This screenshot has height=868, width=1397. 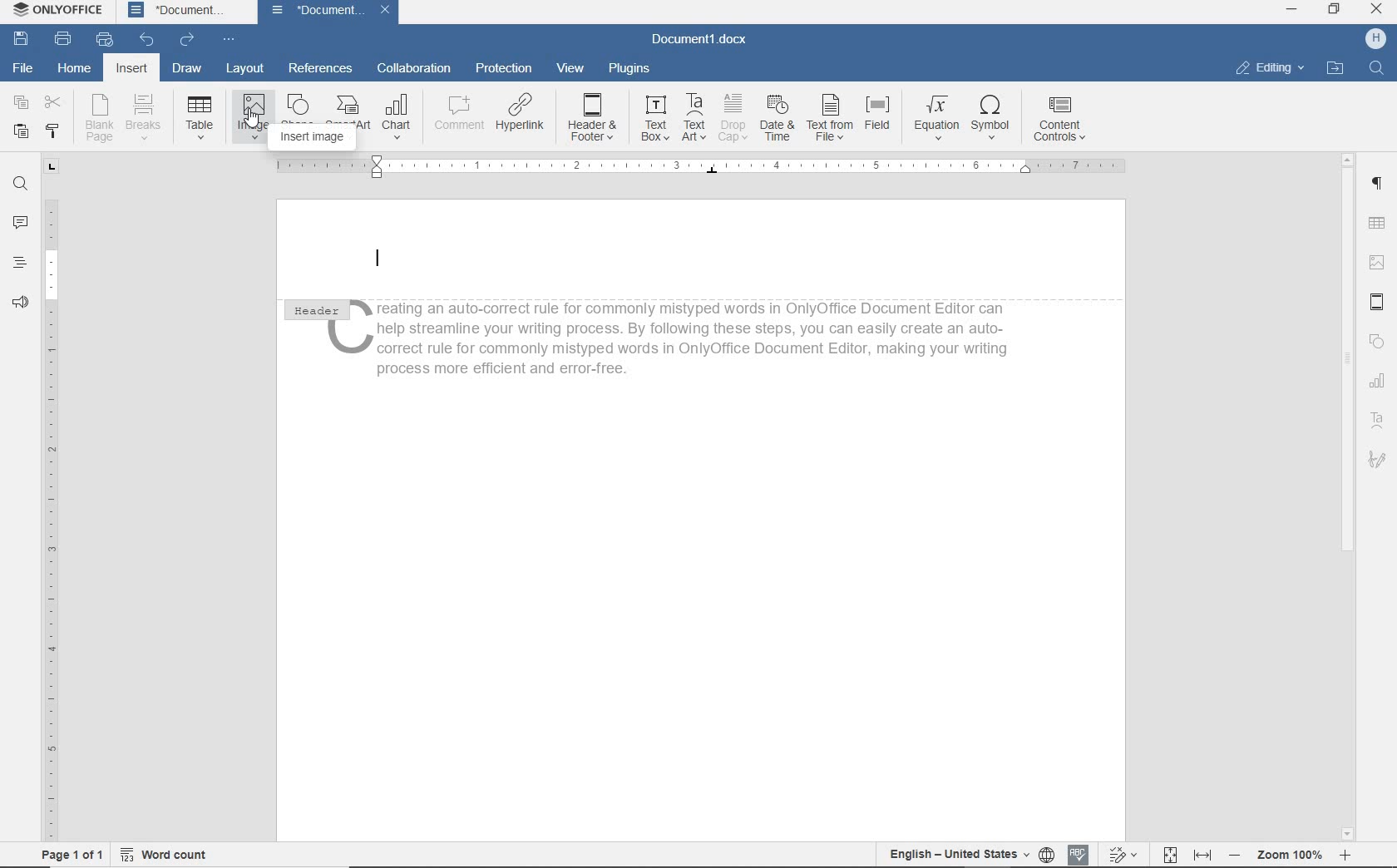 What do you see at coordinates (105, 37) in the screenshot?
I see `QUICK PRINT` at bounding box center [105, 37].